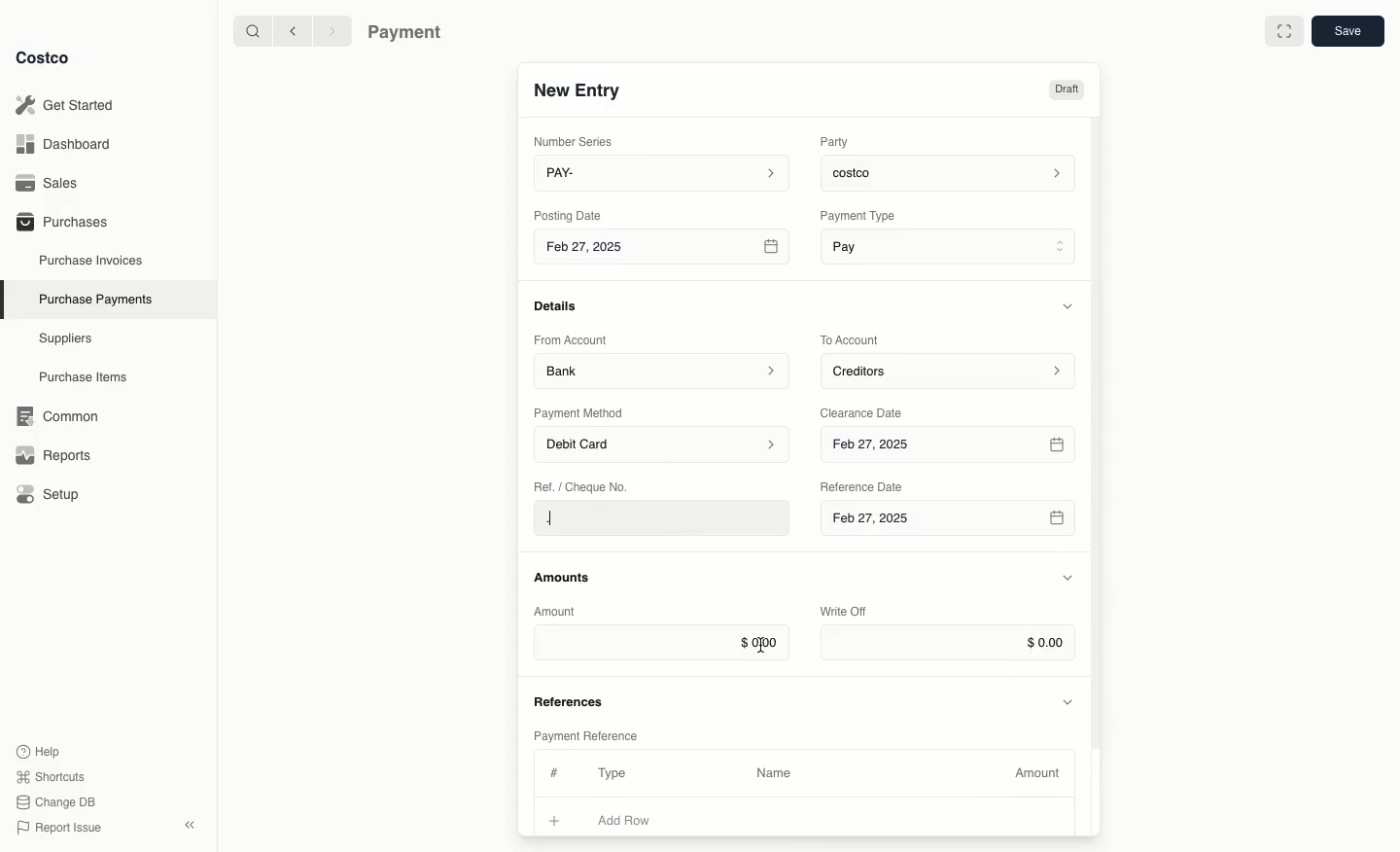 This screenshot has width=1400, height=852. I want to click on Search, so click(252, 29).